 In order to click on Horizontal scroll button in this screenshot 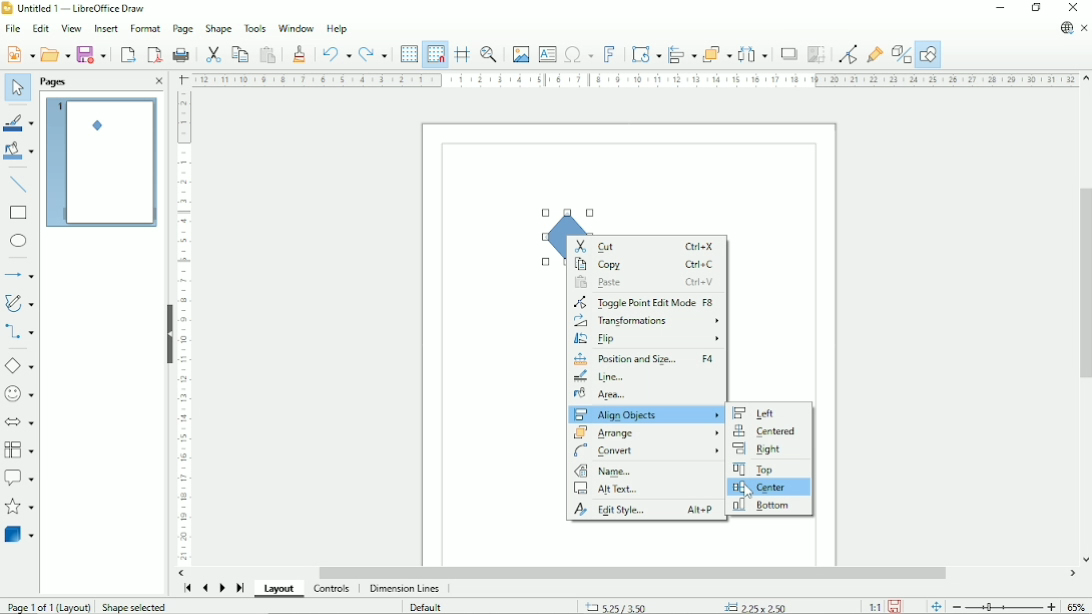, I will do `click(184, 572)`.